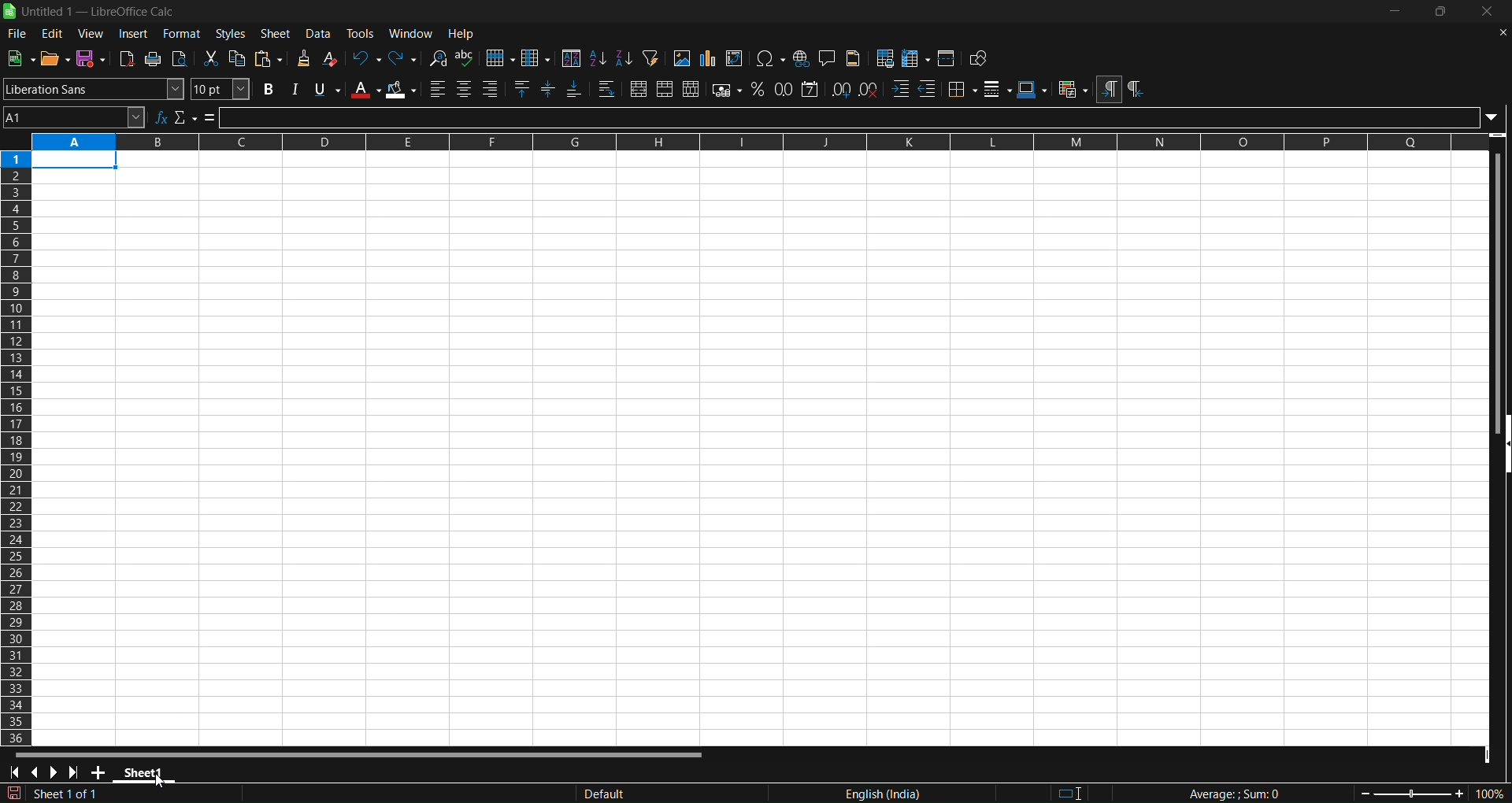  Describe the element at coordinates (93, 33) in the screenshot. I see `view` at that location.